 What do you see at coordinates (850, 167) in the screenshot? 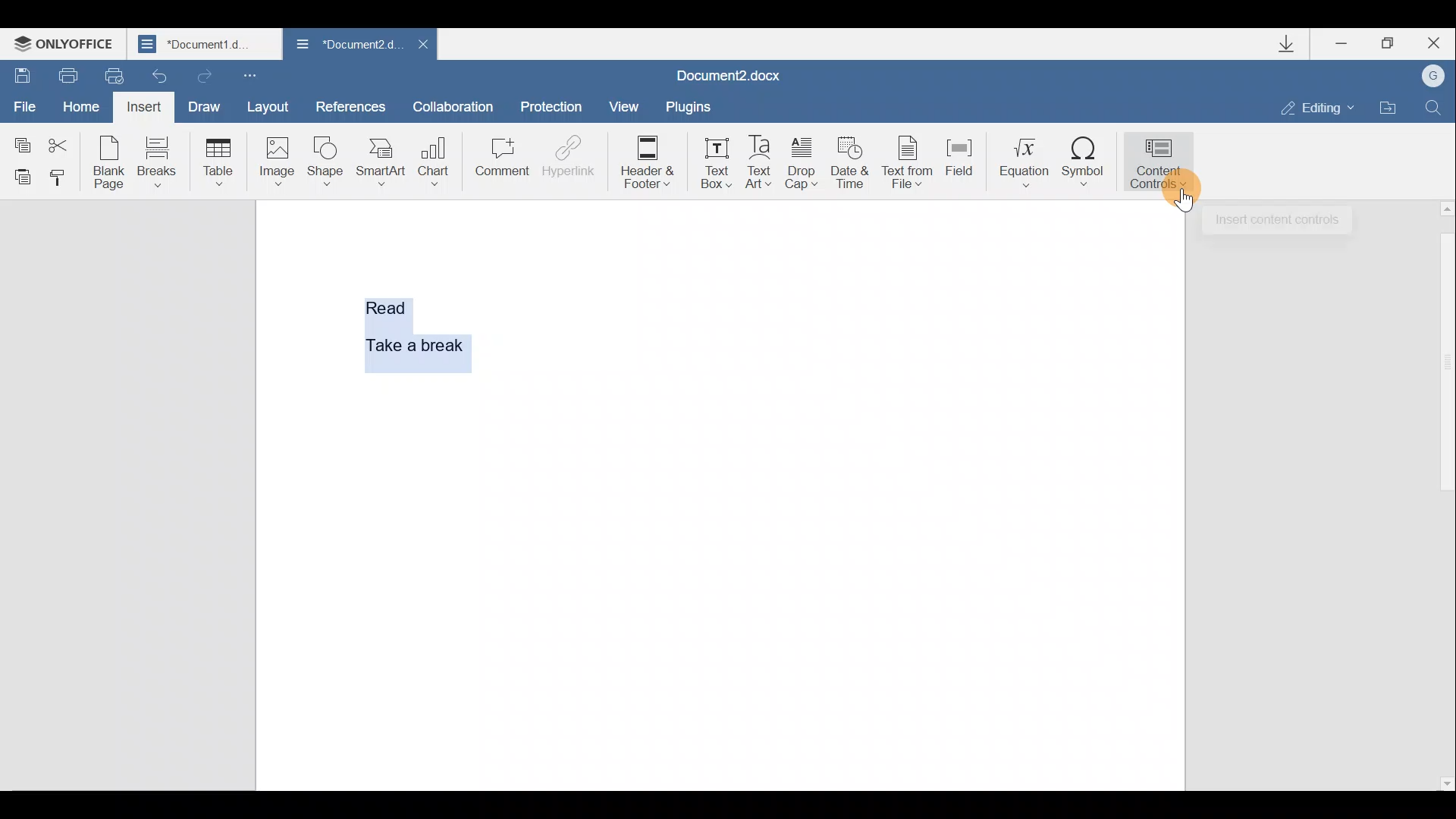
I see `Date & time` at bounding box center [850, 167].